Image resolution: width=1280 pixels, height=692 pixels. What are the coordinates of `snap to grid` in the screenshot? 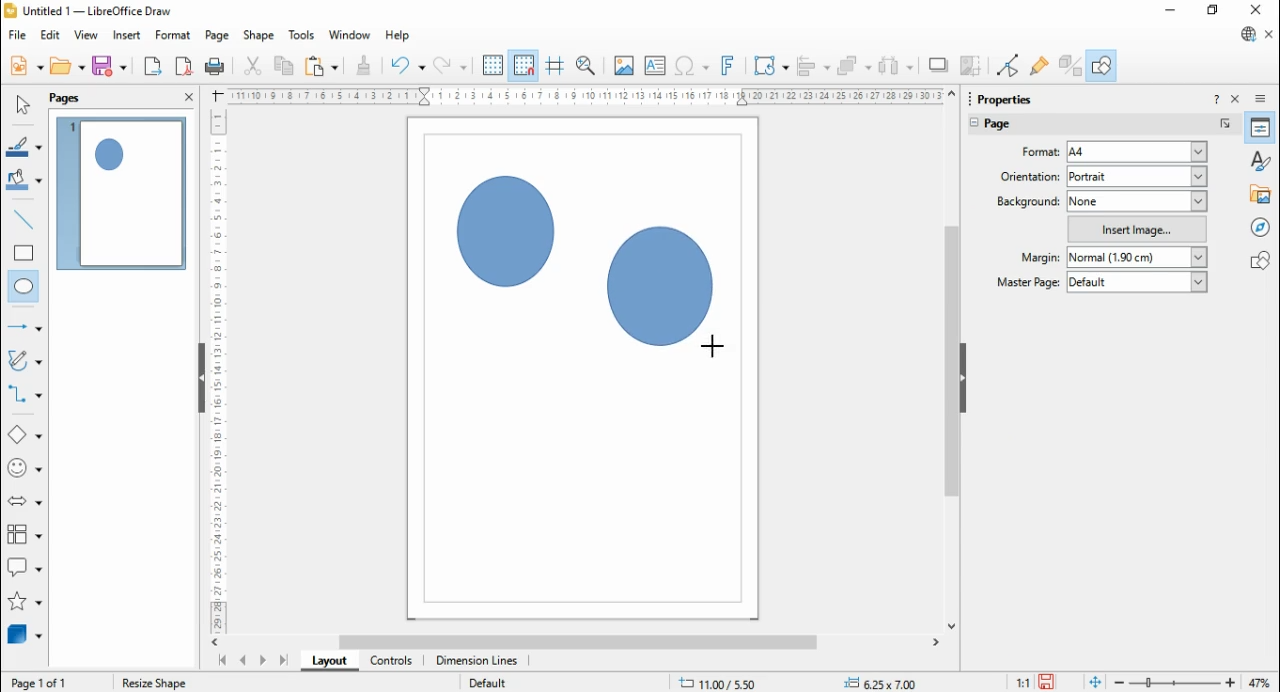 It's located at (525, 65).